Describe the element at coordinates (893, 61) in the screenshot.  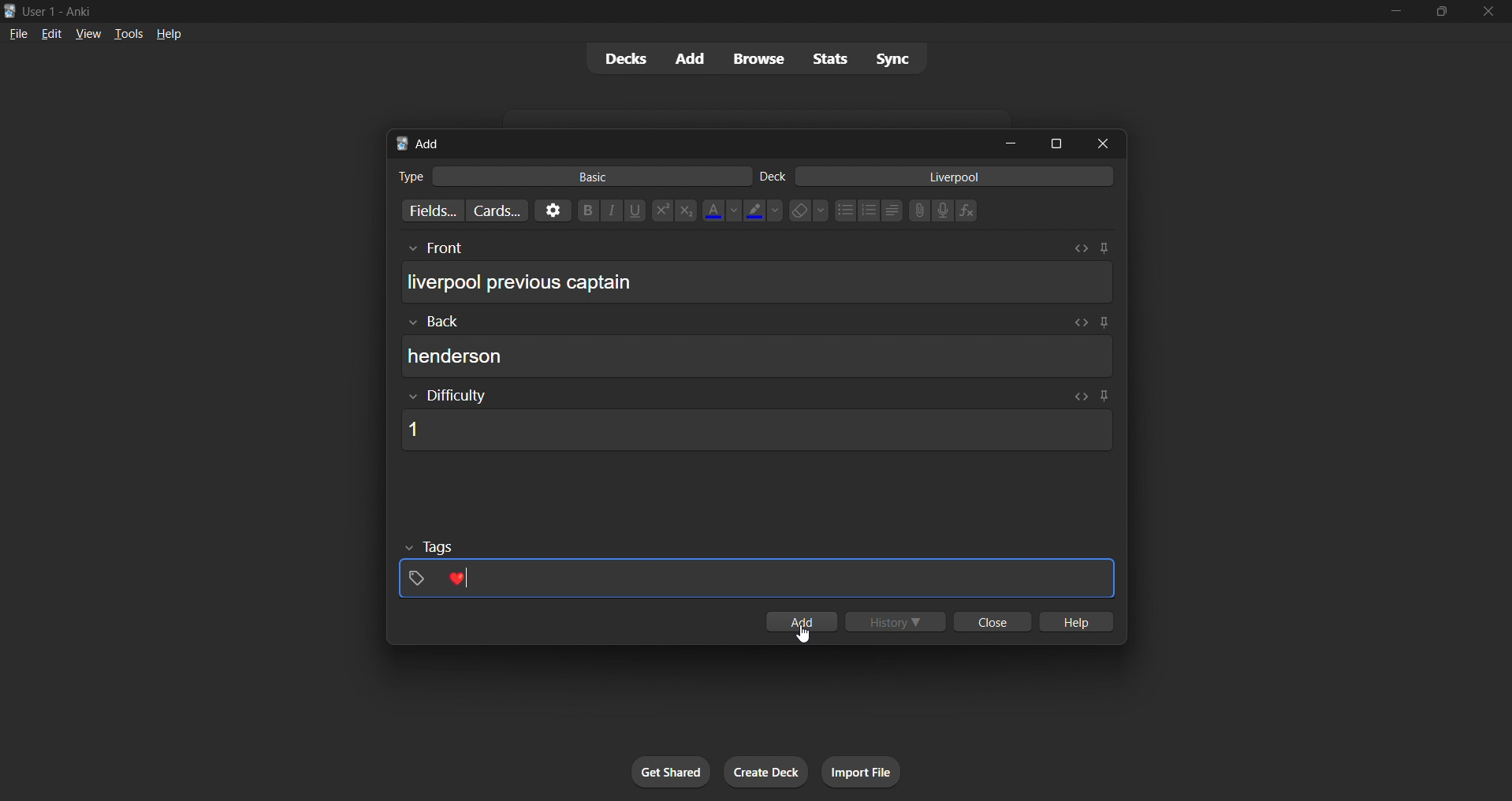
I see `sync` at that location.